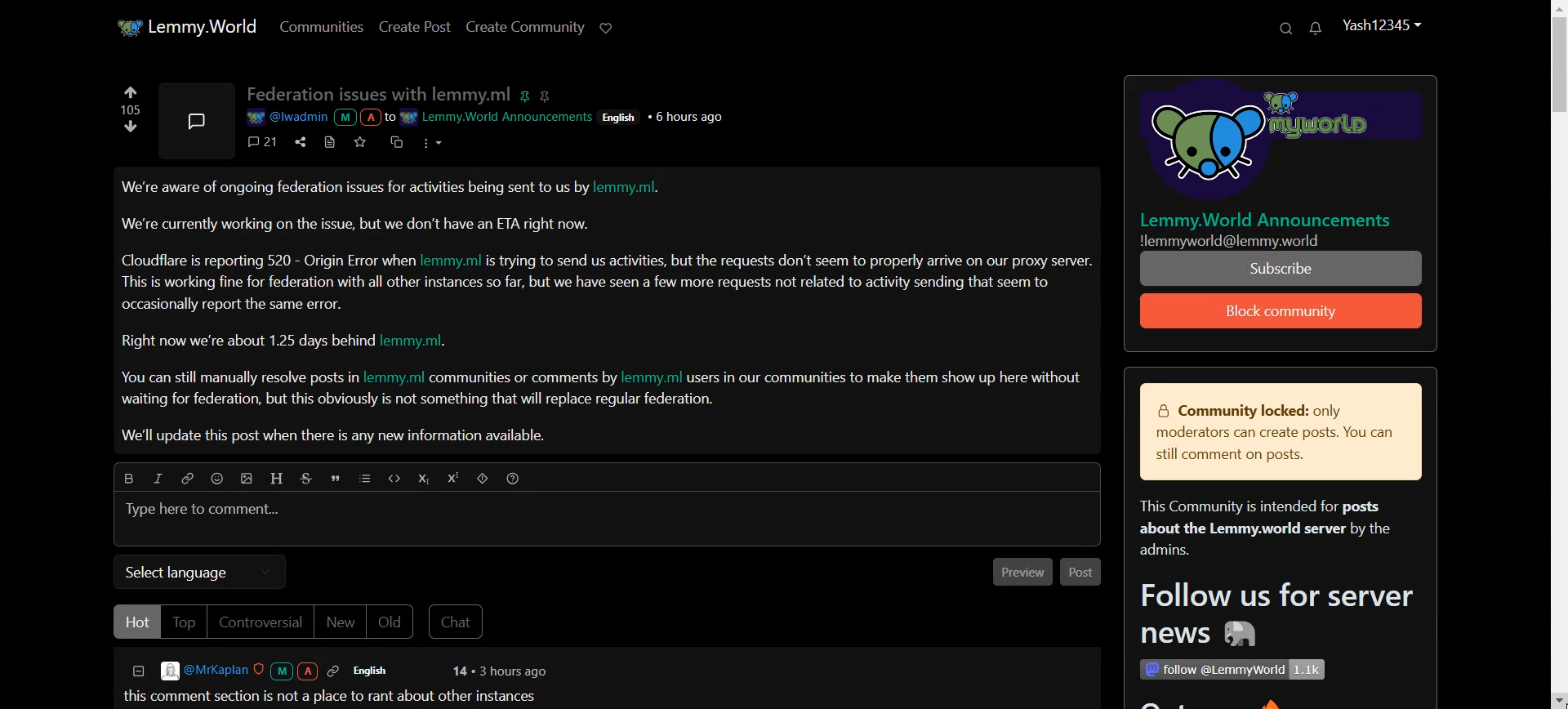  I want to click on Scroll Bar, so click(1557, 354).